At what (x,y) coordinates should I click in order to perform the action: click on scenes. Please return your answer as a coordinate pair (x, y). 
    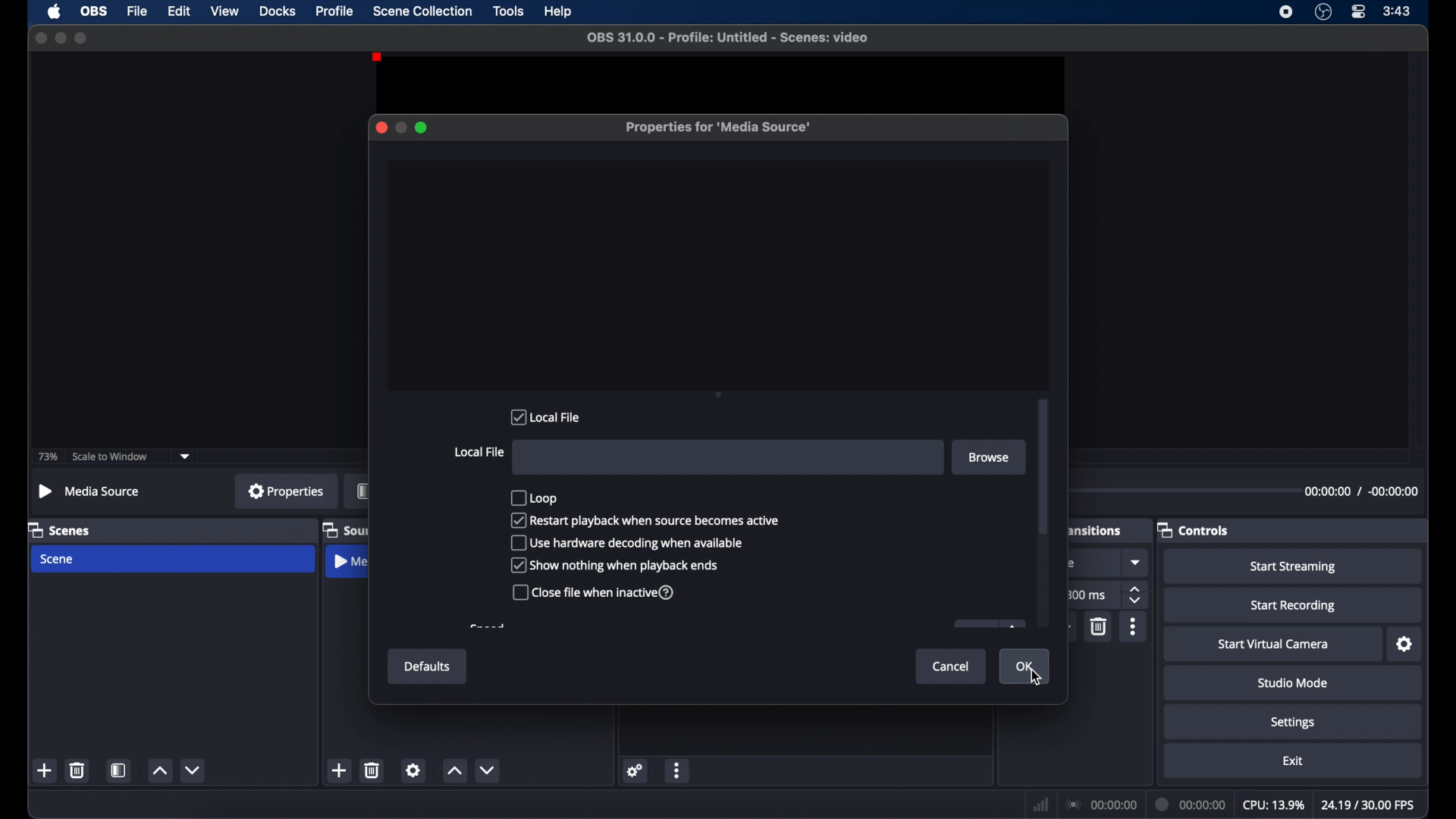
    Looking at the image, I should click on (59, 529).